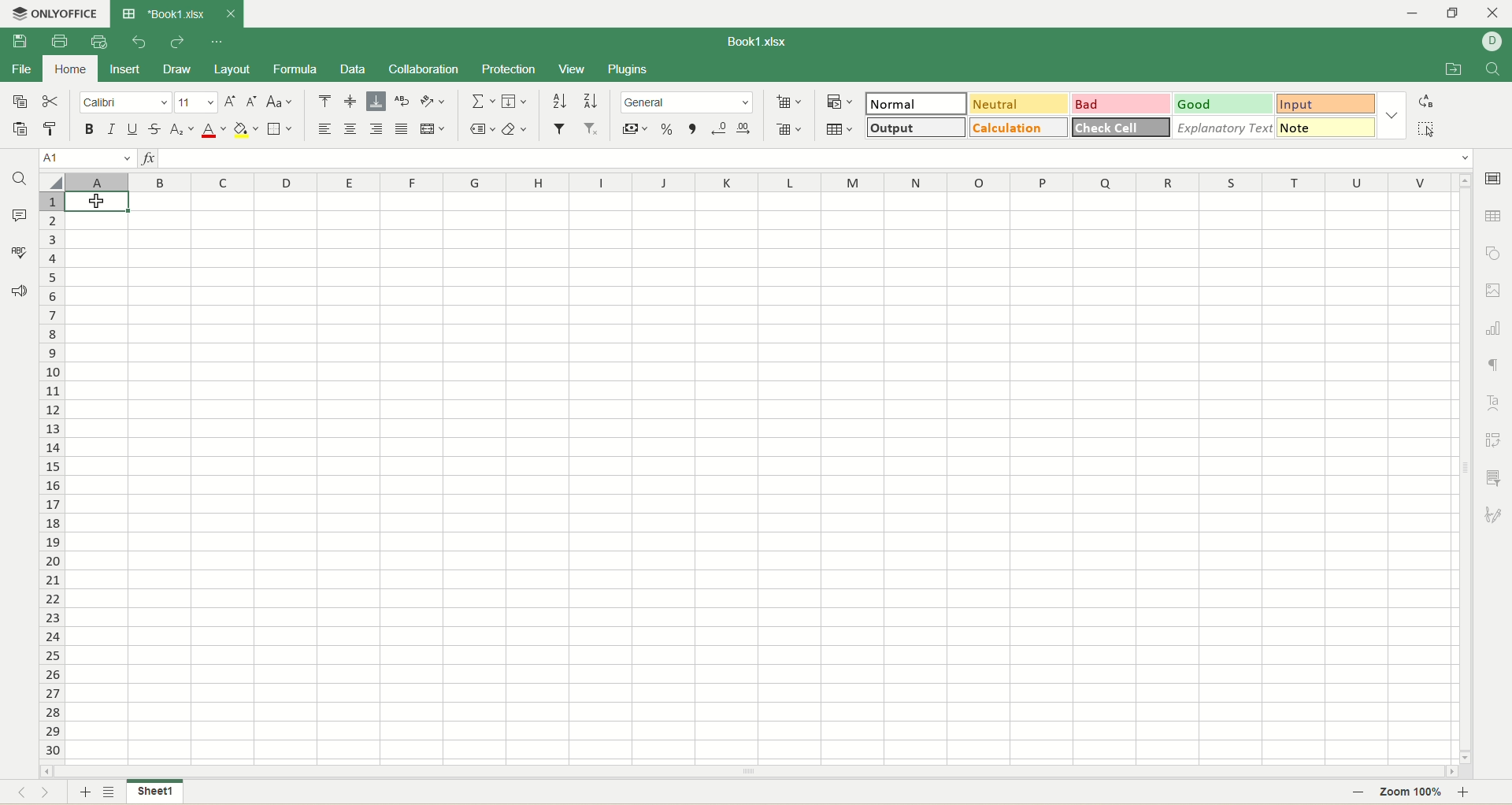 The width and height of the screenshot is (1512, 805). Describe the element at coordinates (1494, 327) in the screenshot. I see `chart settings` at that location.